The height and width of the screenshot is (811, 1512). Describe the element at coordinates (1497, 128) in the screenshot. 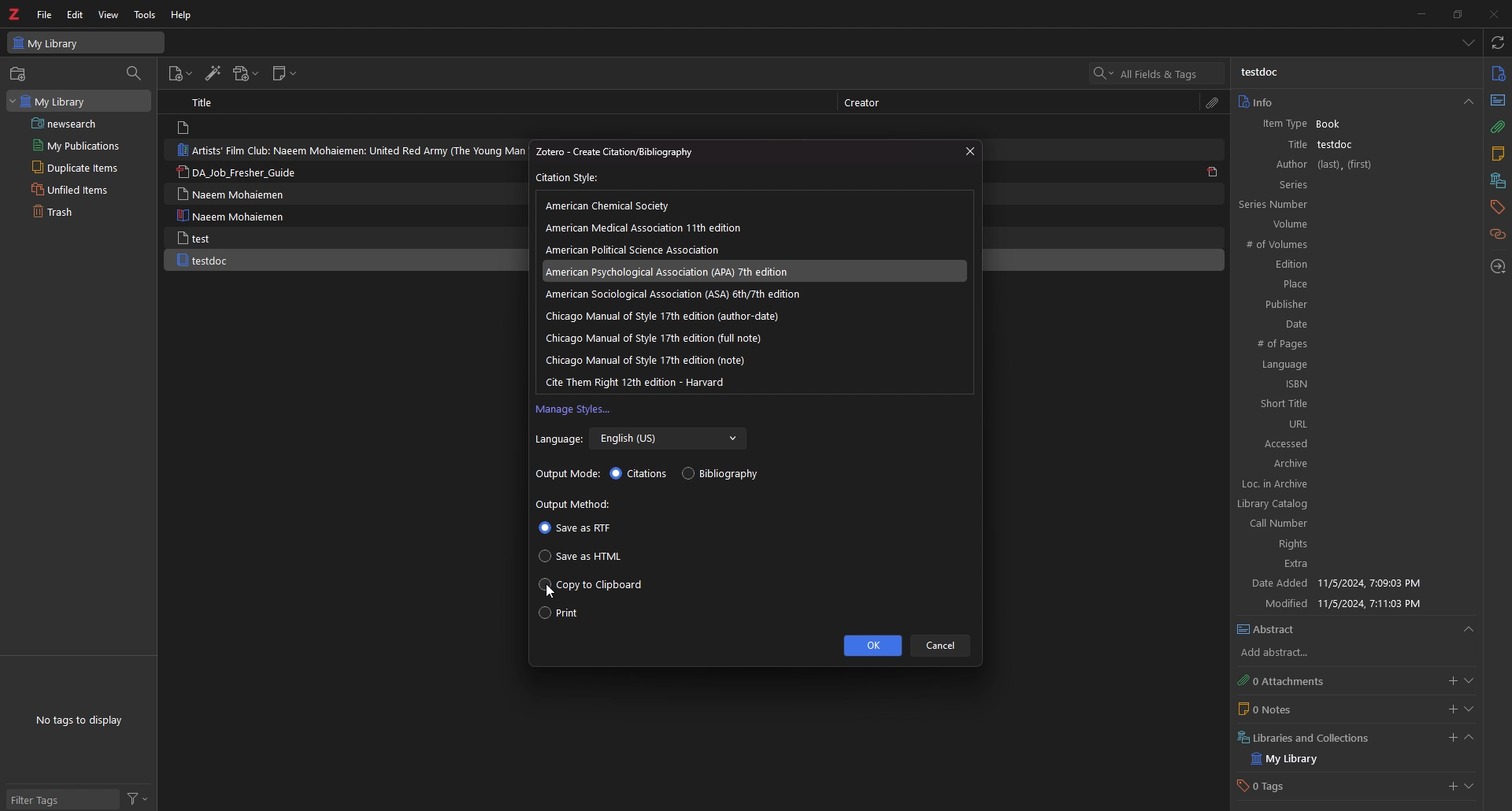

I see `attachment` at that location.